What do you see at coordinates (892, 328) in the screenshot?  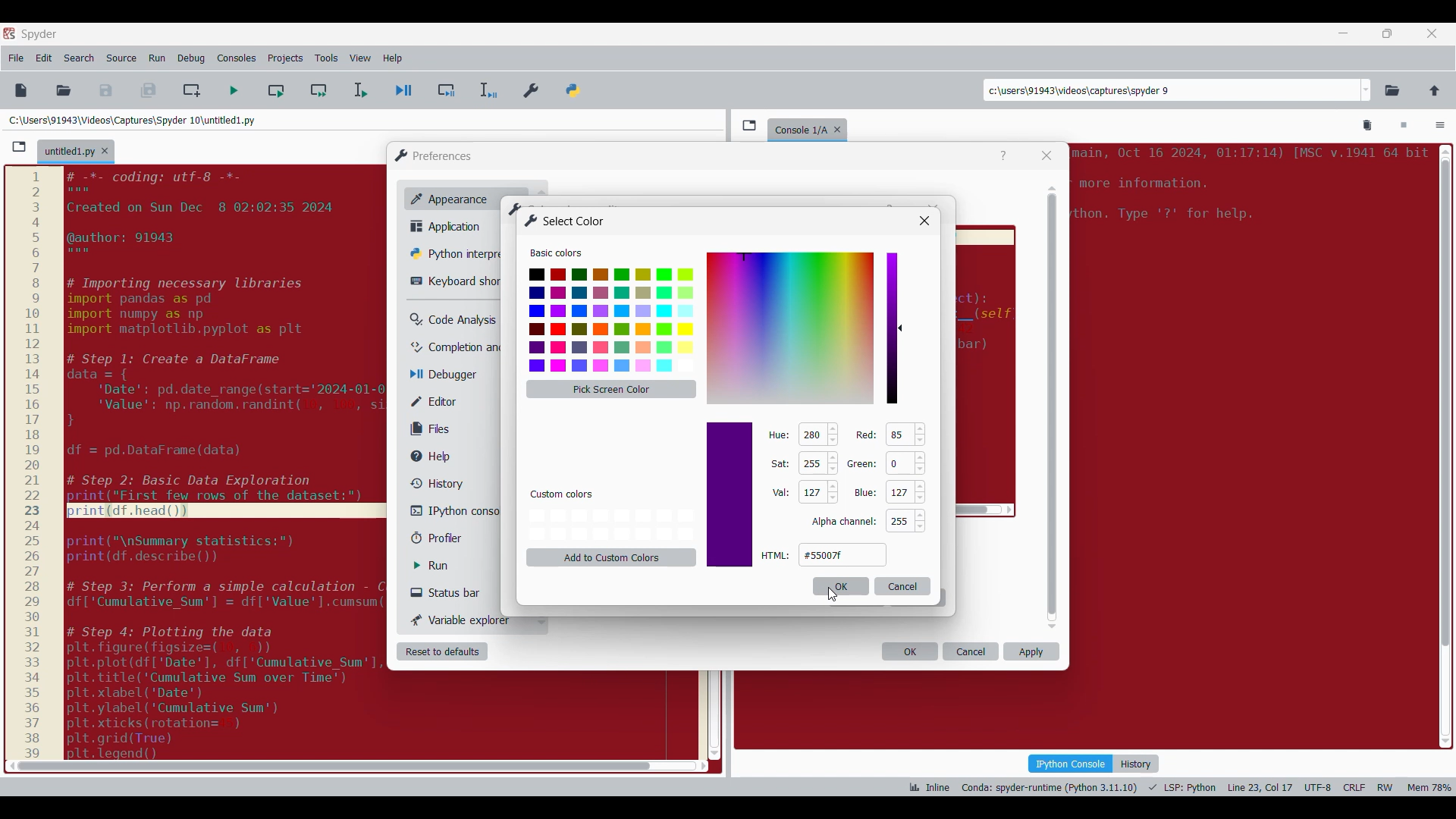 I see `Color scale` at bounding box center [892, 328].